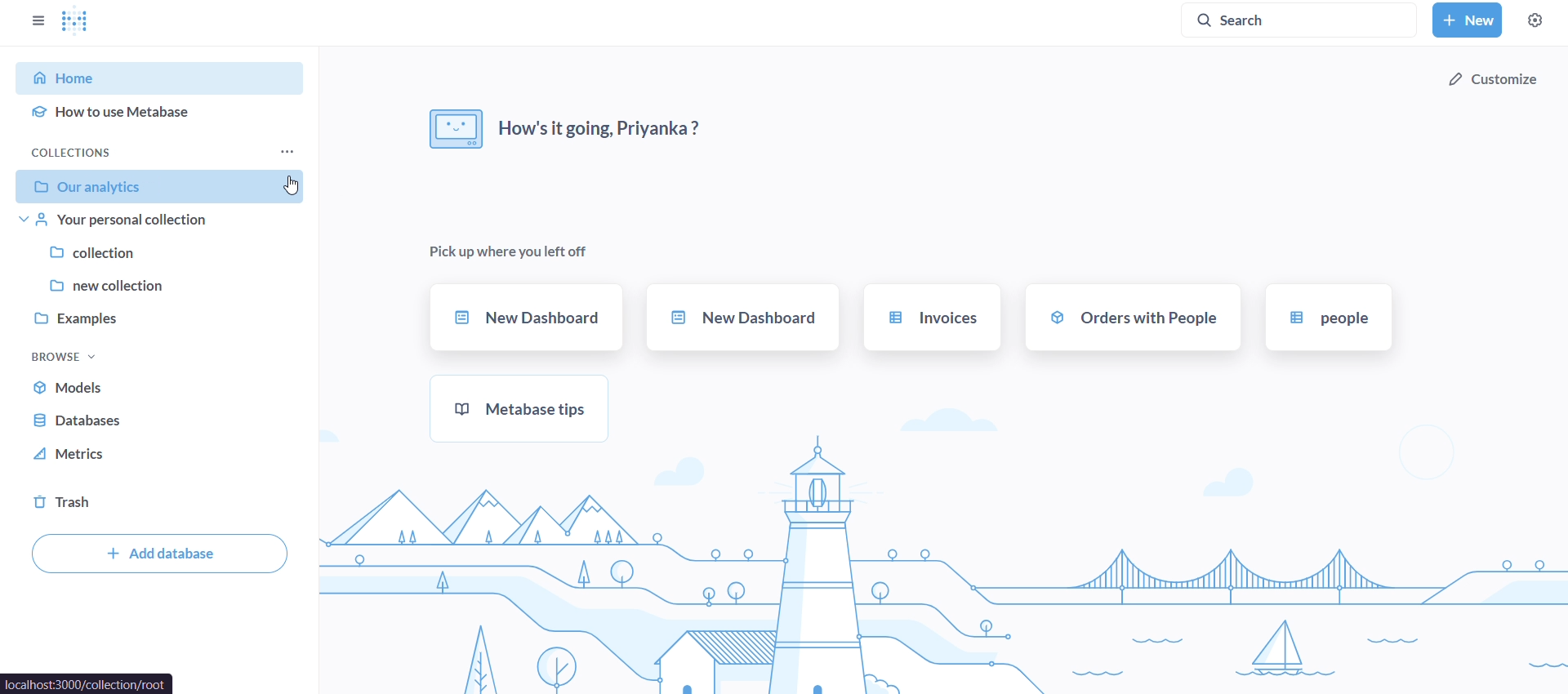  What do you see at coordinates (296, 185) in the screenshot?
I see `cursor` at bounding box center [296, 185].